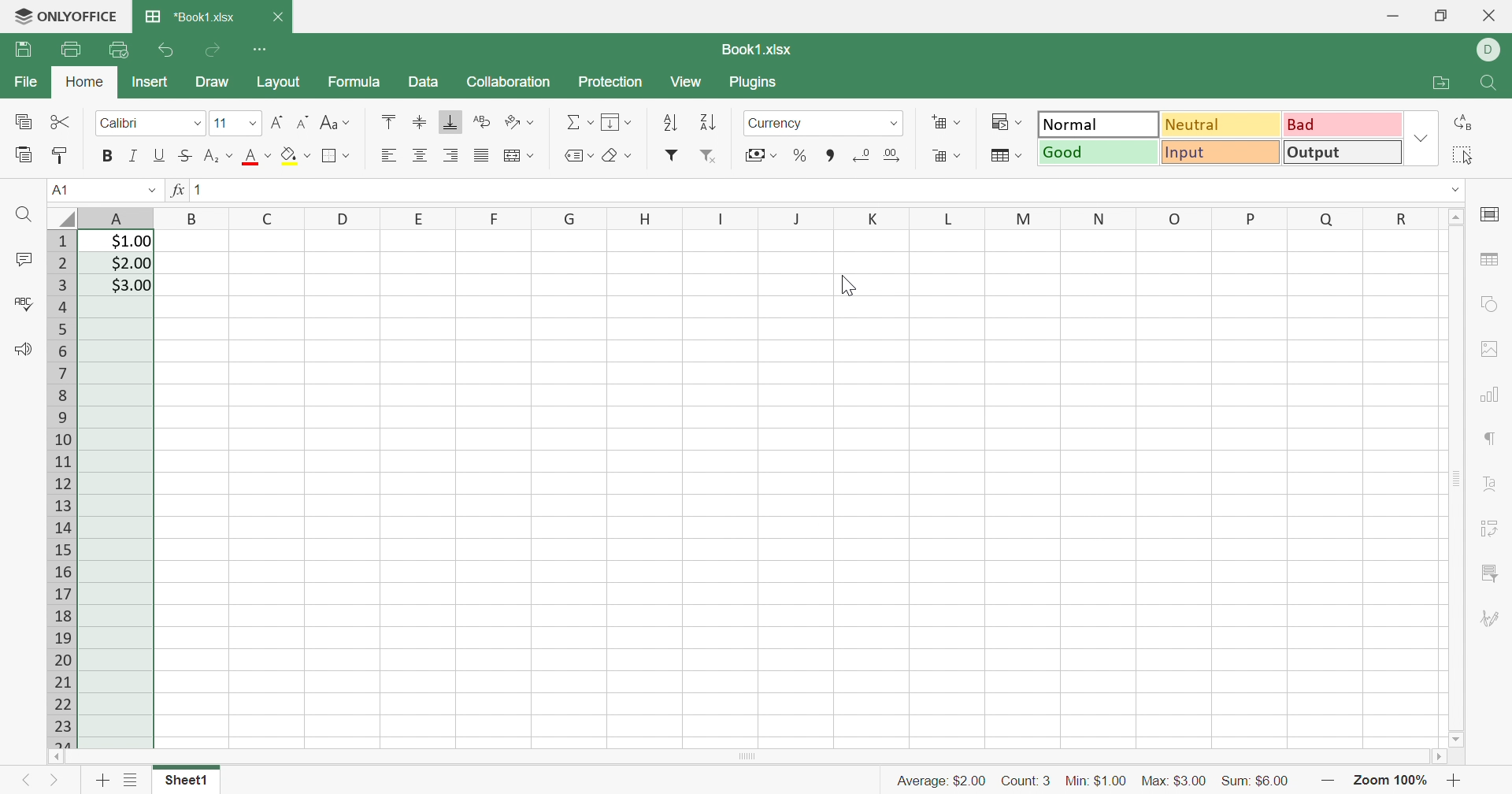  I want to click on Row numbers, so click(64, 488).